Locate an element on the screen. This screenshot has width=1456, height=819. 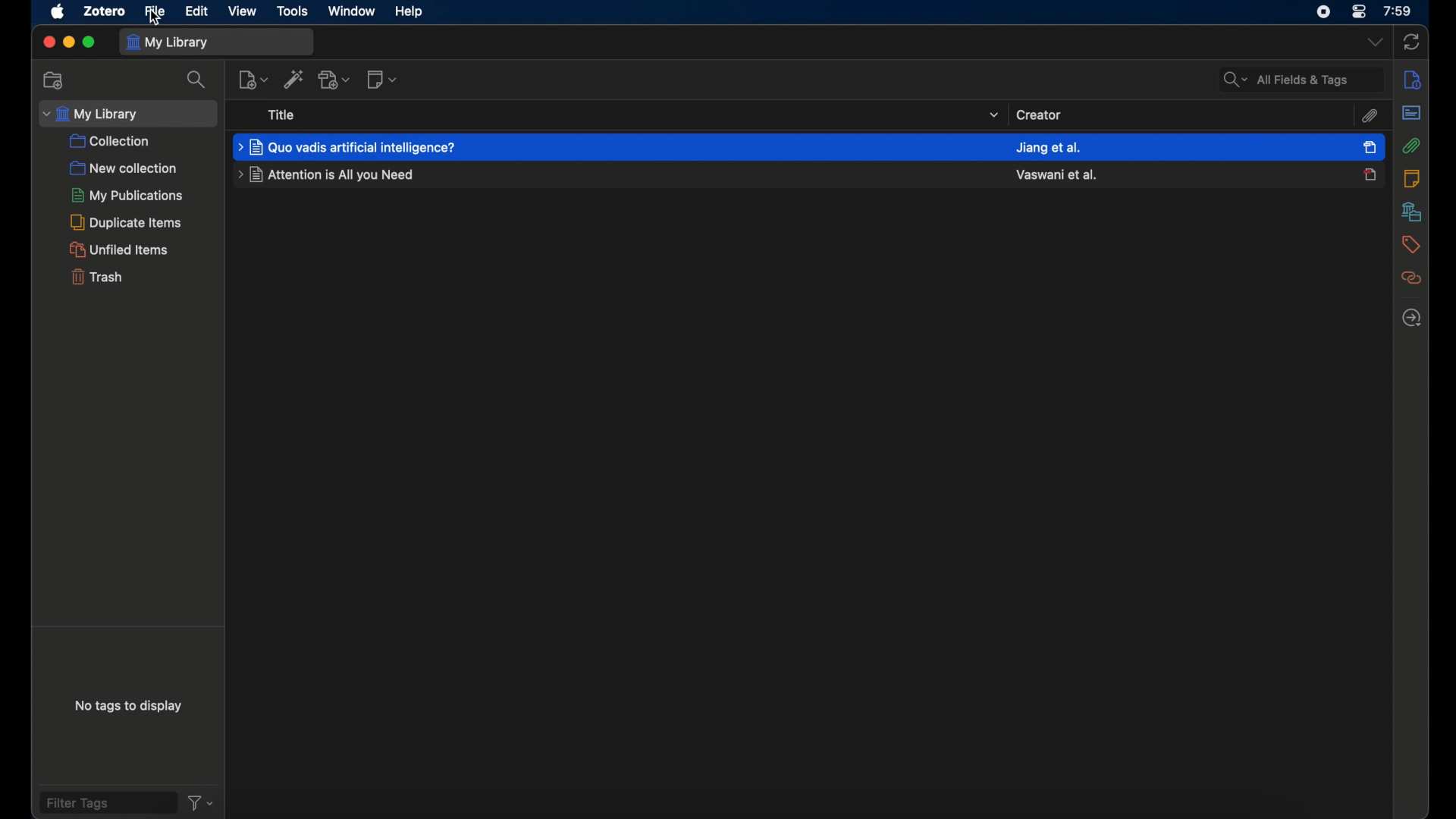
item name highlighted is located at coordinates (348, 147).